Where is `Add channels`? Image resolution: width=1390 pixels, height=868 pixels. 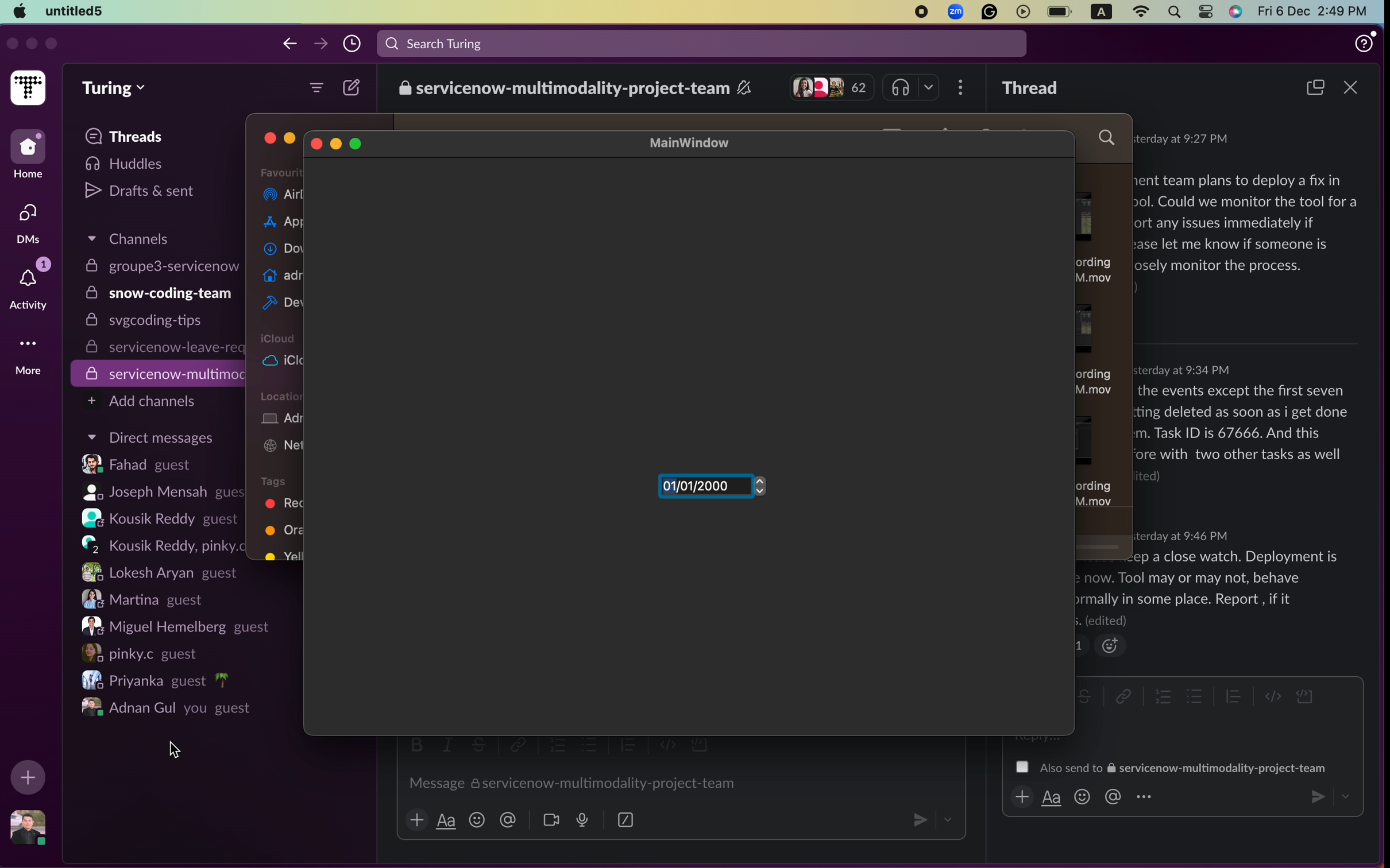 Add channels is located at coordinates (142, 401).